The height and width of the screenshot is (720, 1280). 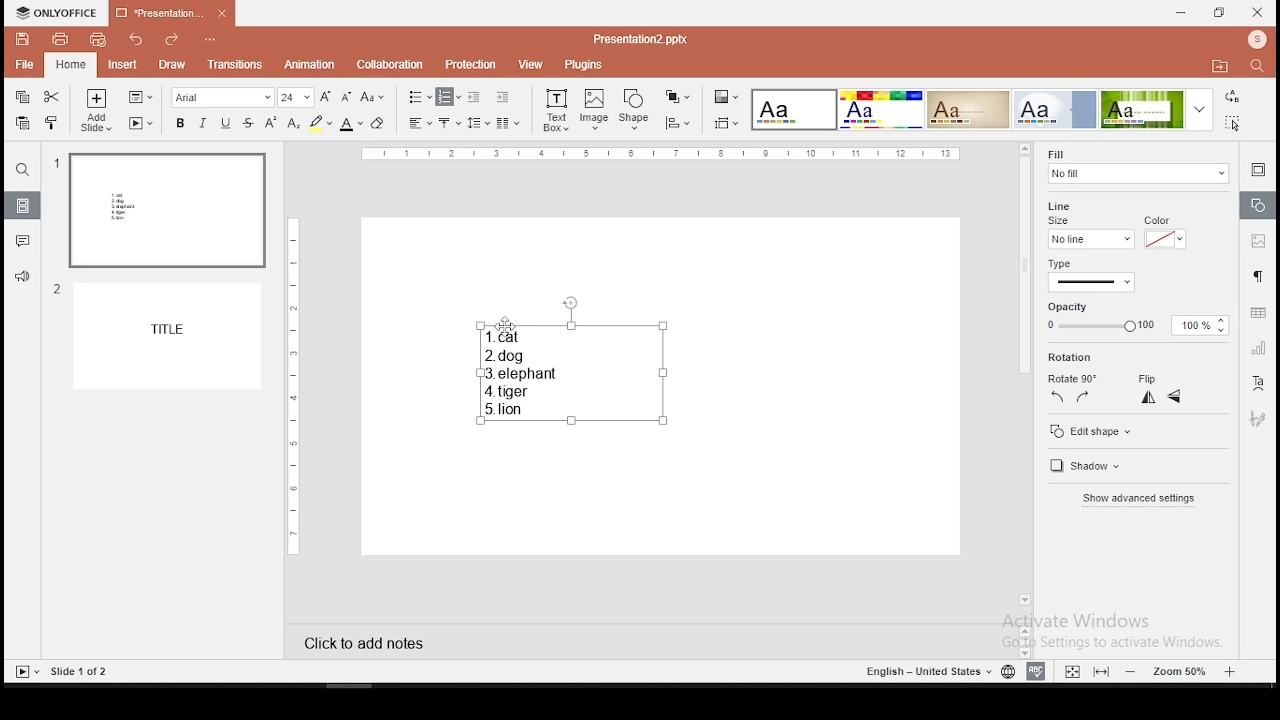 I want to click on theme, so click(x=1055, y=109).